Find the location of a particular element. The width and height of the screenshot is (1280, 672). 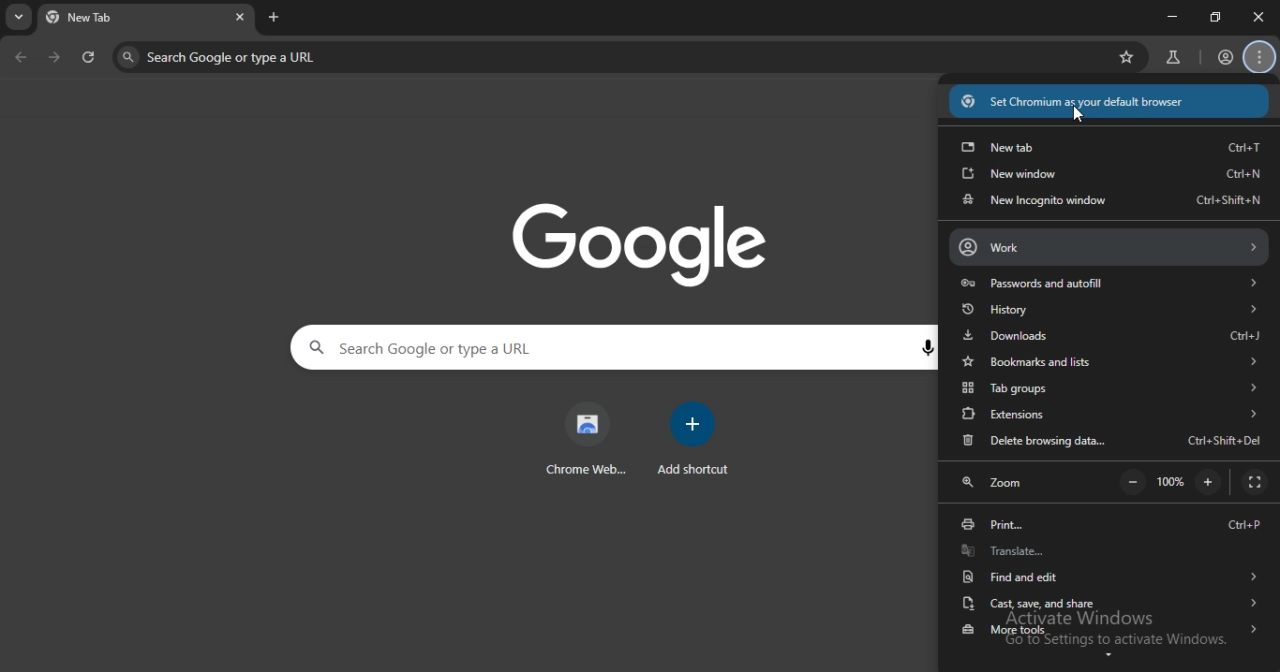

search tabs is located at coordinates (19, 18).